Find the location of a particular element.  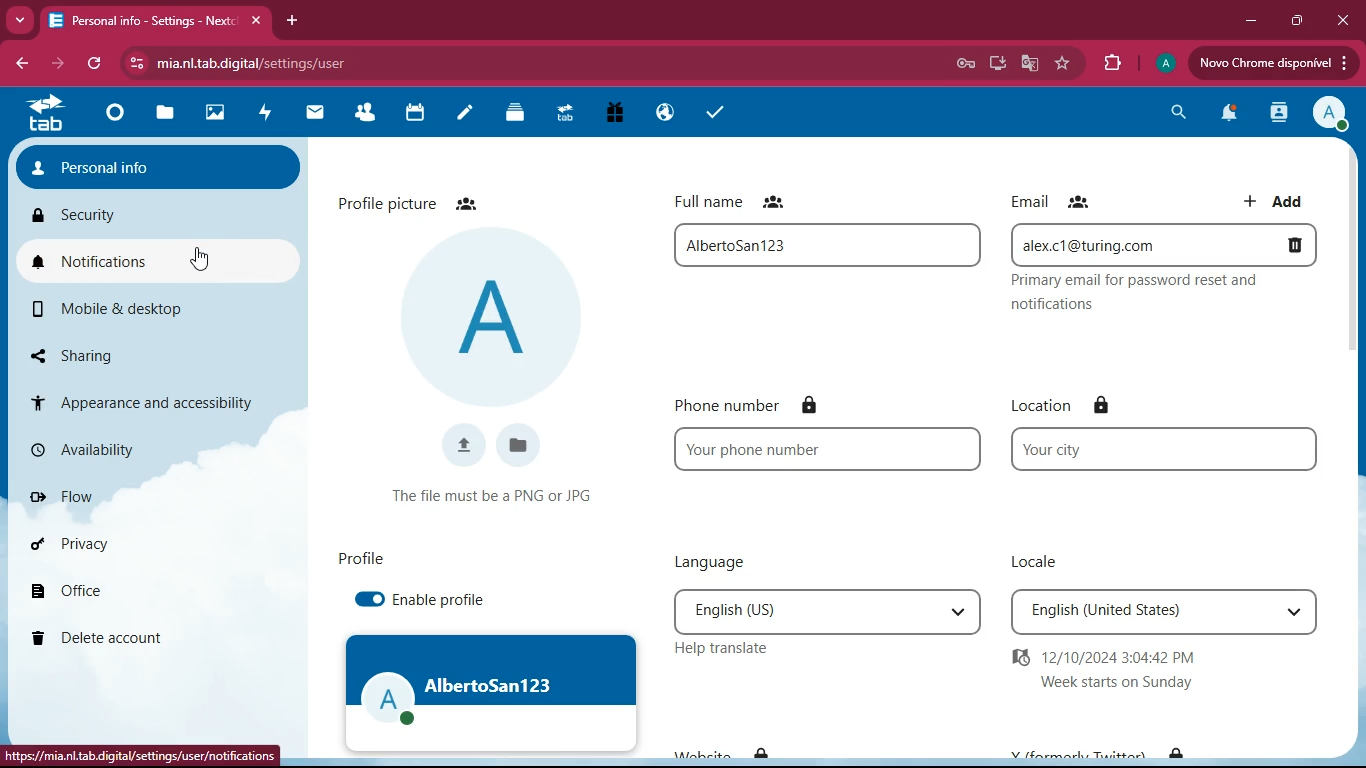

phone number is located at coordinates (751, 403).